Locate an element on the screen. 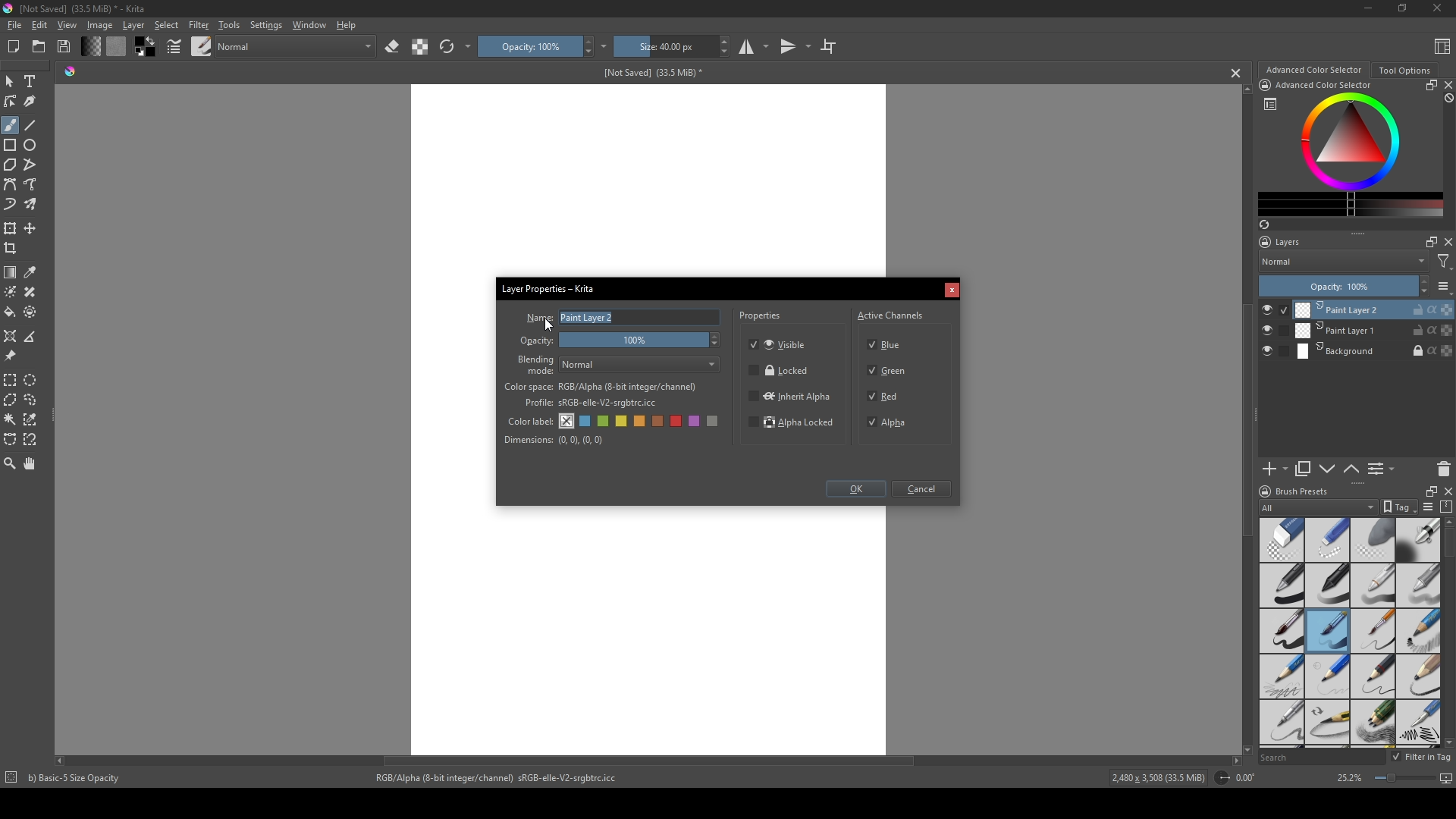  free hand is located at coordinates (32, 185).